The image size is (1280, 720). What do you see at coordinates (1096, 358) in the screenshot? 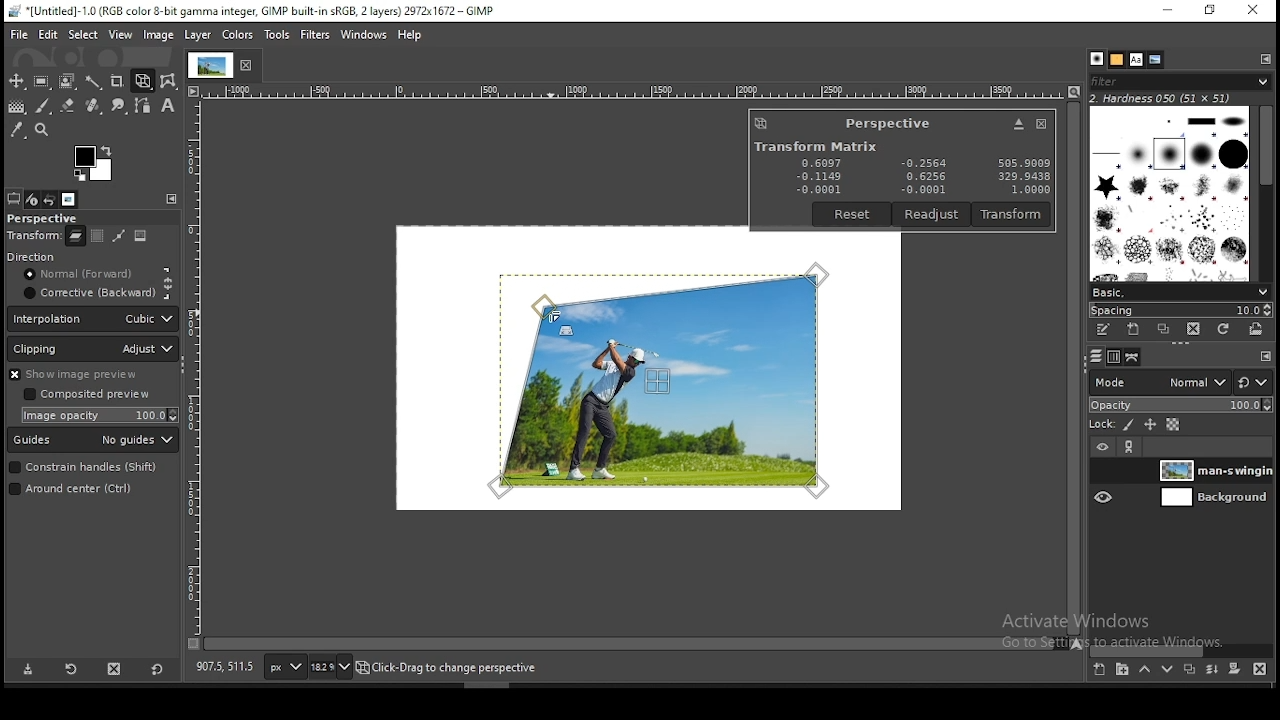
I see `layers` at bounding box center [1096, 358].